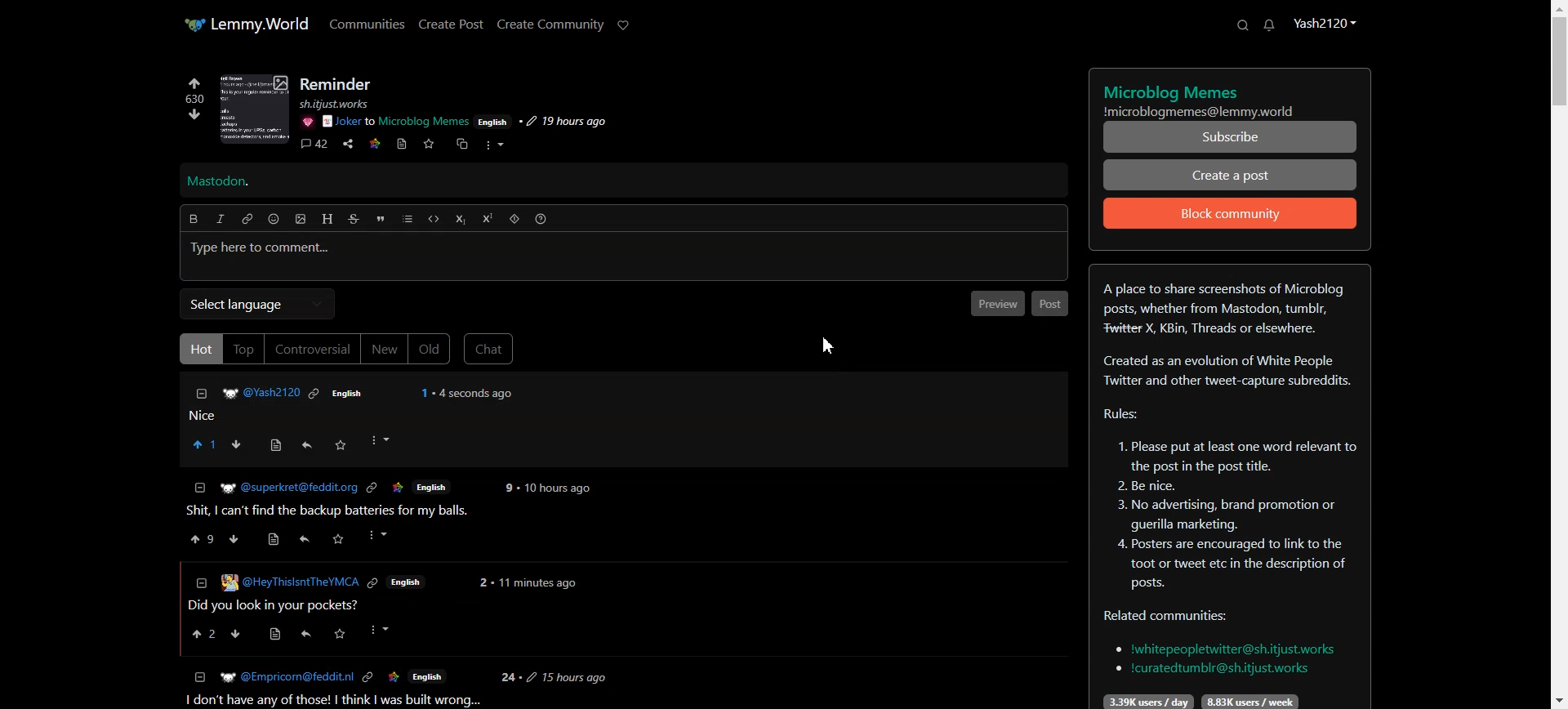 The image size is (1568, 709). Describe the element at coordinates (218, 182) in the screenshot. I see `Text` at that location.